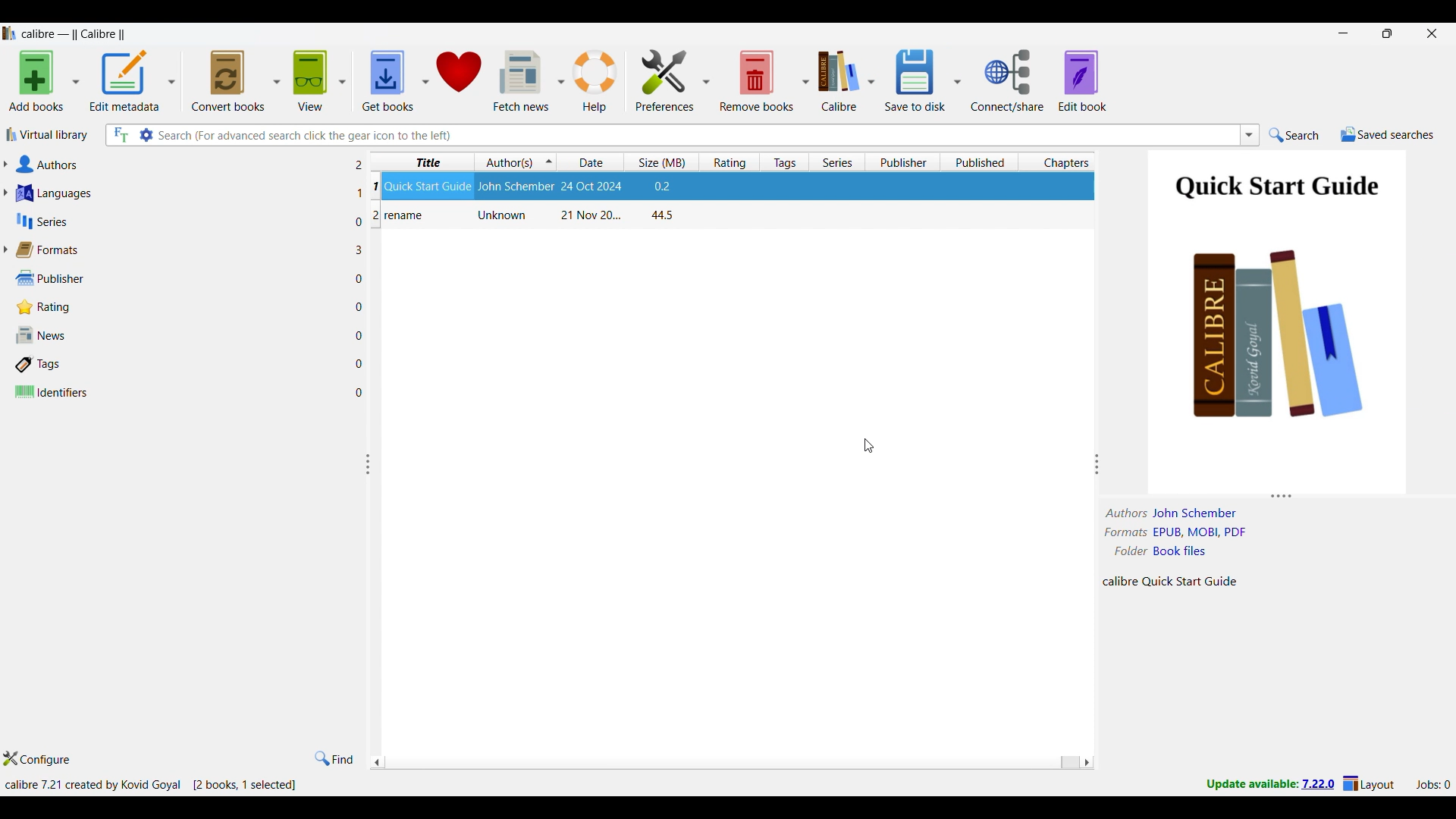 This screenshot has height=819, width=1456. I want to click on Current details of software, so click(93, 785).